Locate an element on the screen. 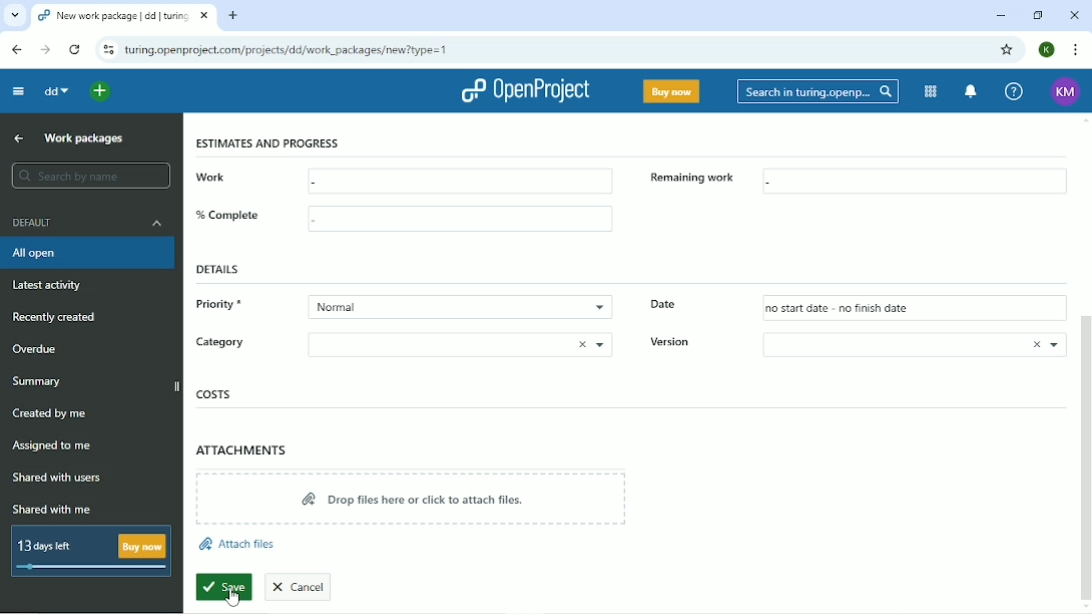 This screenshot has width=1092, height=614. Open quick add menu is located at coordinates (108, 90).